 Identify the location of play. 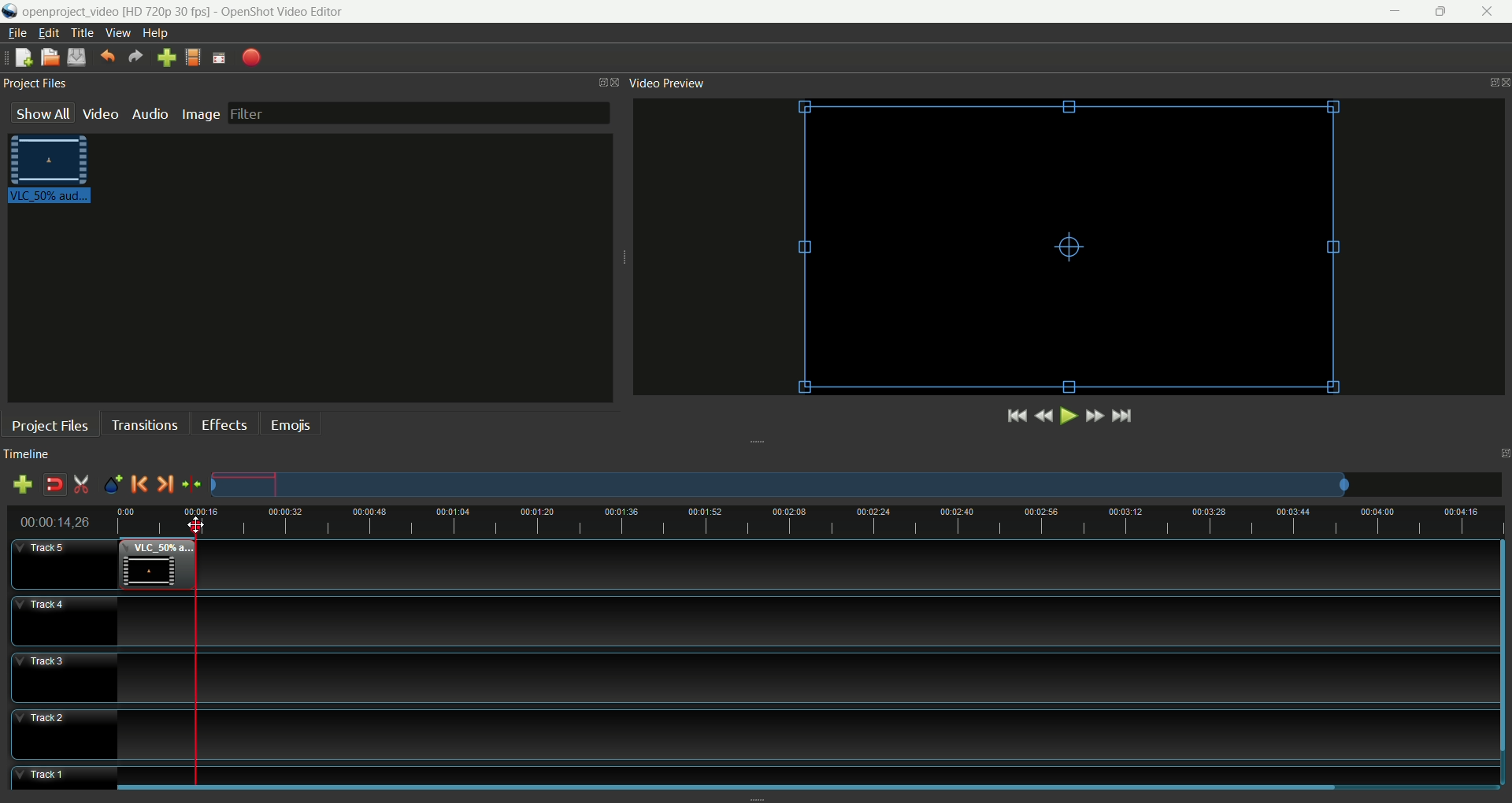
(1066, 416).